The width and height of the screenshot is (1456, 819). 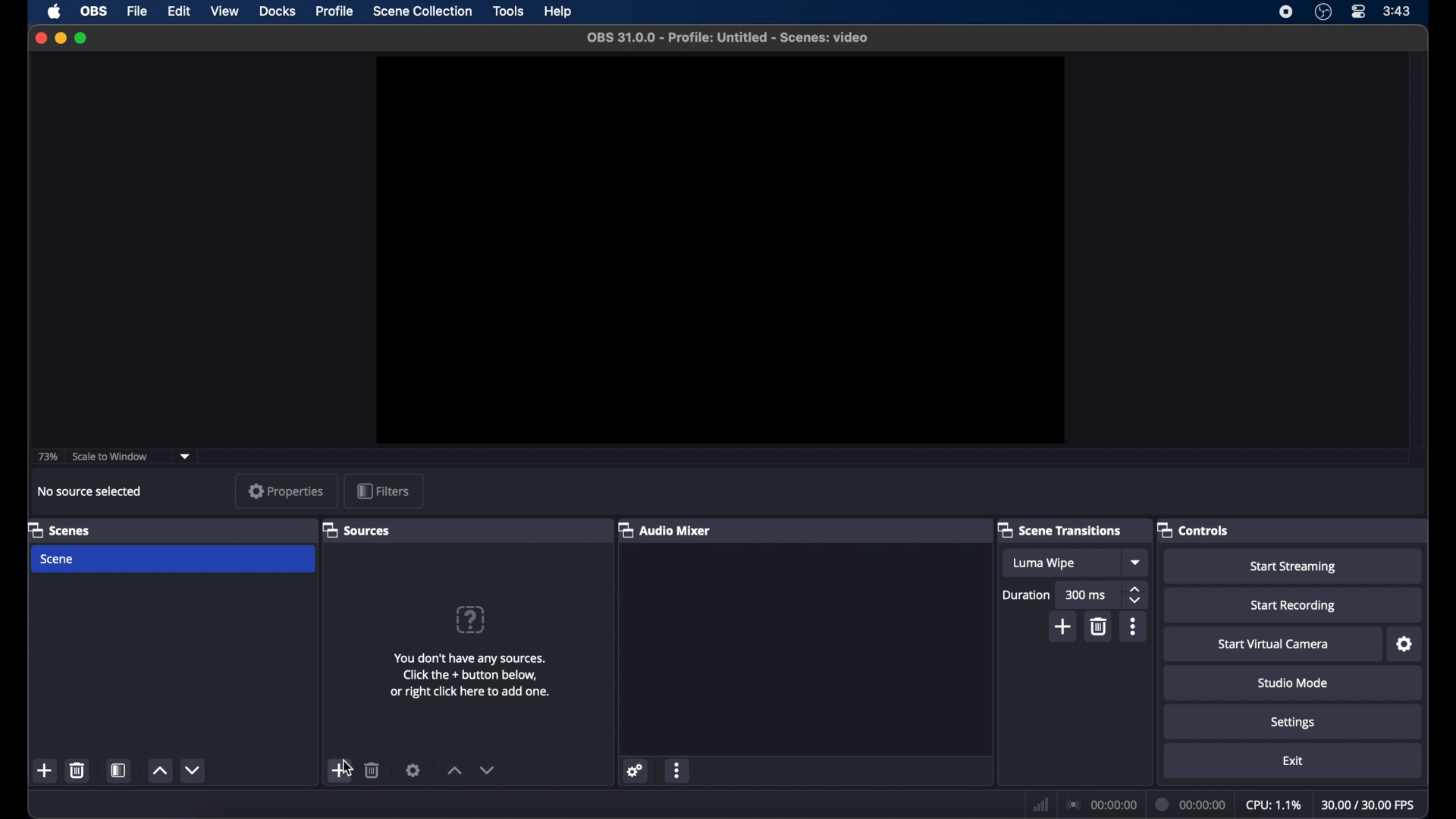 I want to click on minimize, so click(x=60, y=37).